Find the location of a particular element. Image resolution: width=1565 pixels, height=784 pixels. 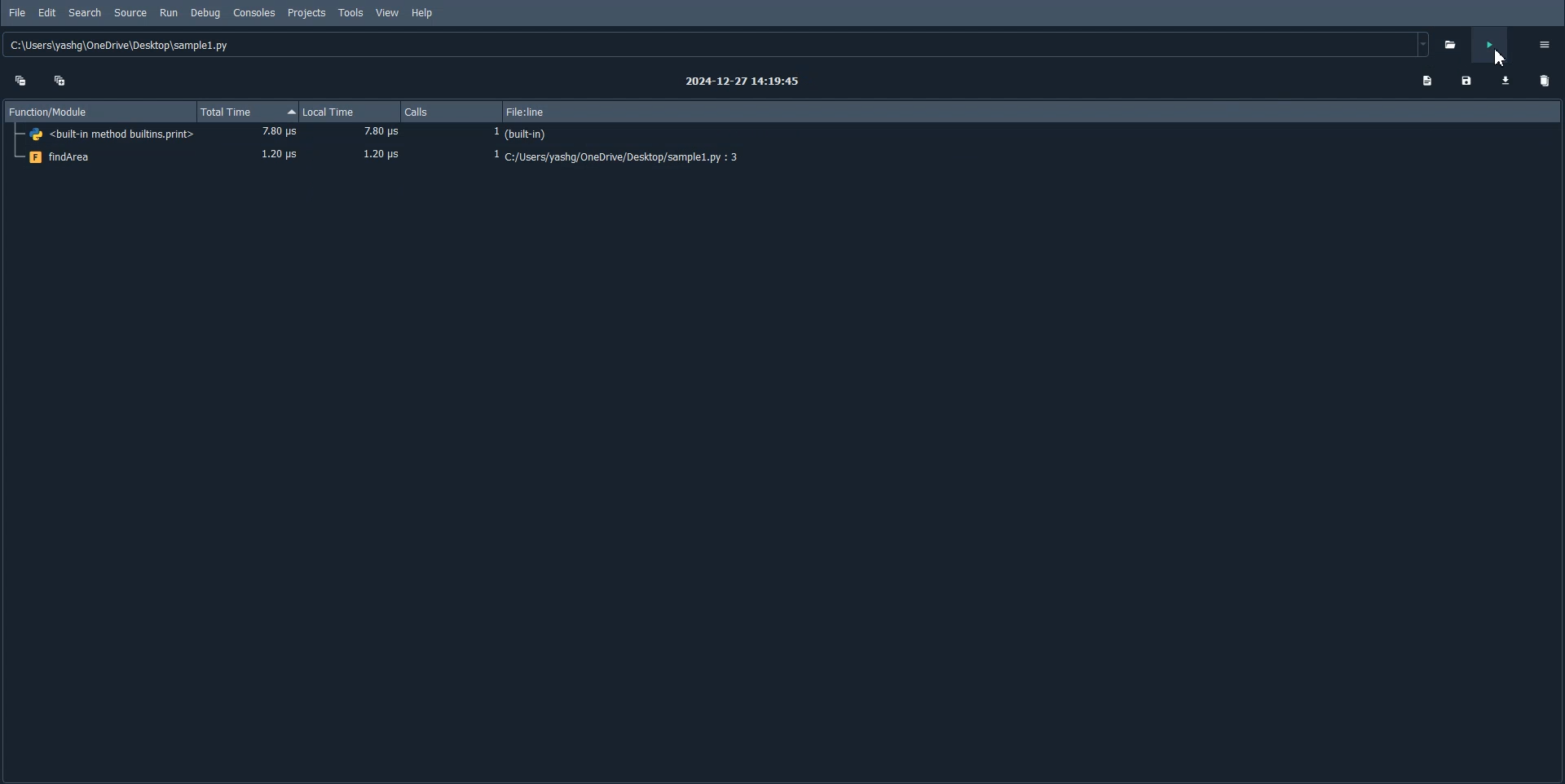

Consoles is located at coordinates (254, 12).